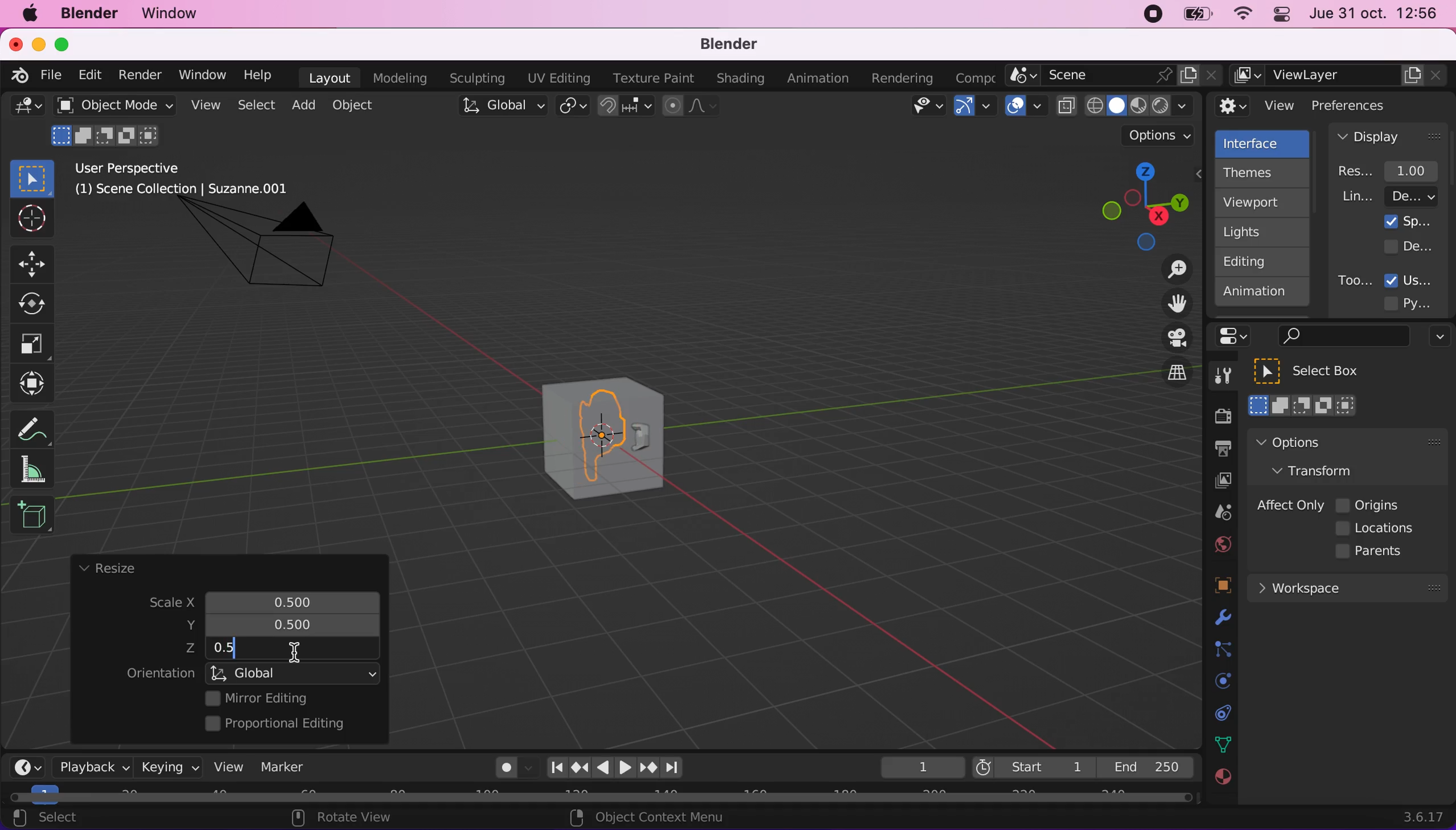 The image size is (1456, 830). What do you see at coordinates (1368, 105) in the screenshot?
I see `preferences` at bounding box center [1368, 105].